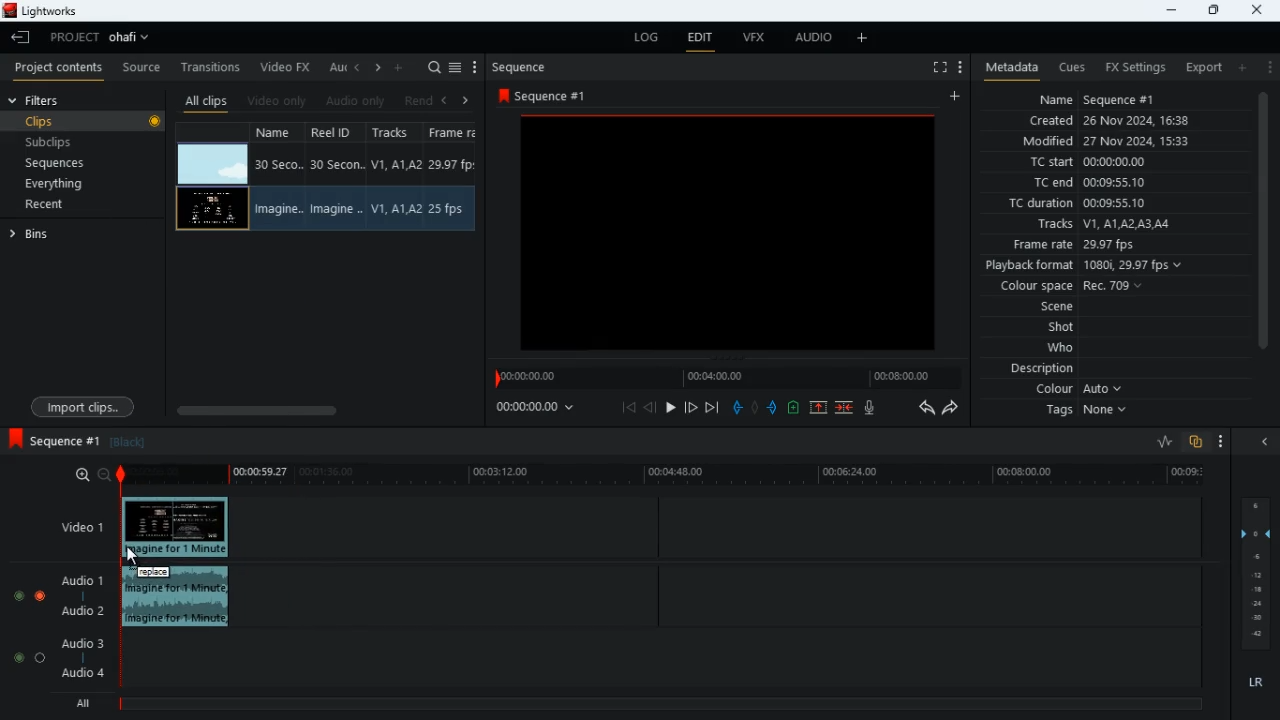 This screenshot has width=1280, height=720. Describe the element at coordinates (1157, 442) in the screenshot. I see `rate` at that location.